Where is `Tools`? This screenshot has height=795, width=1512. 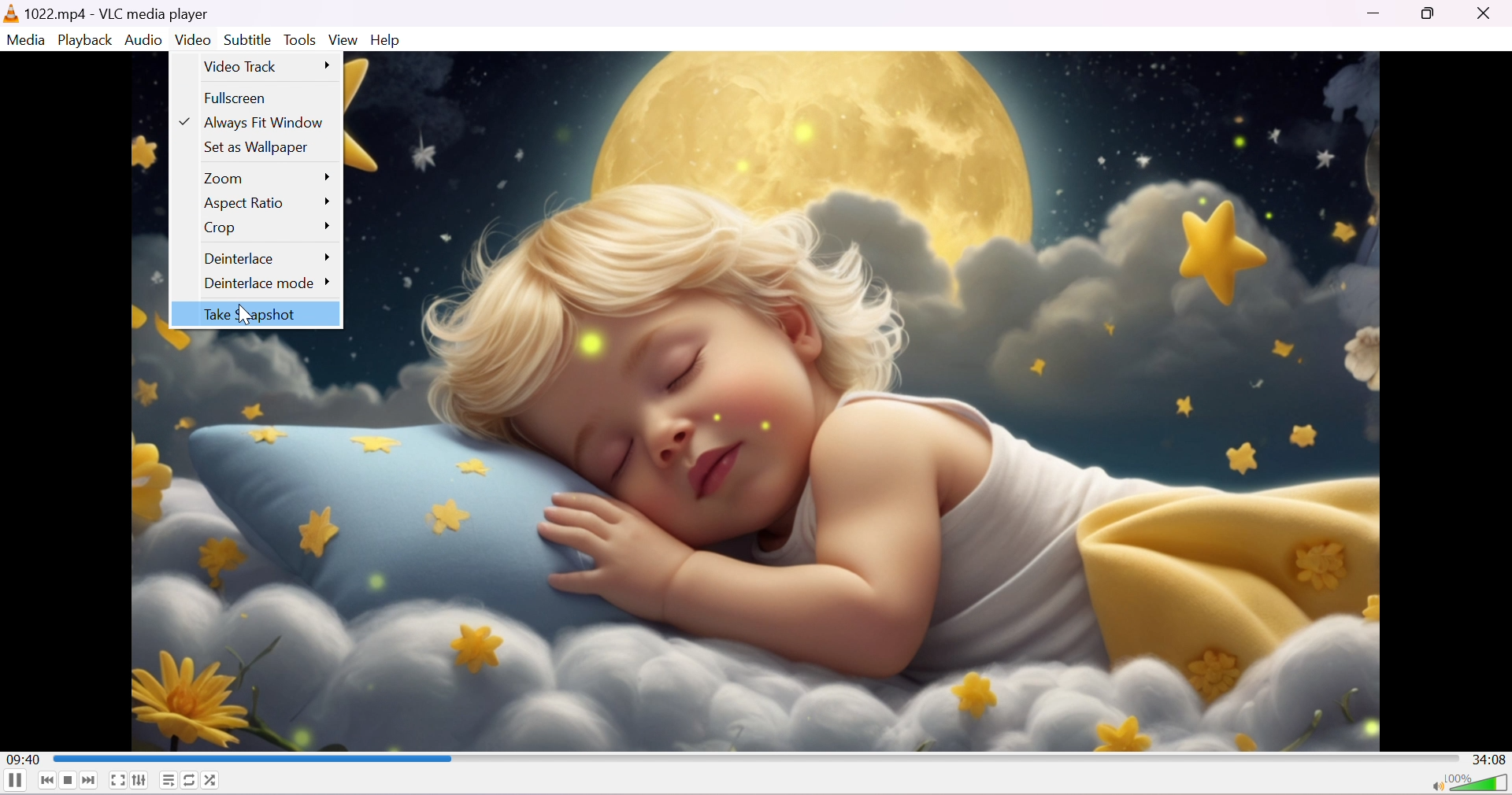
Tools is located at coordinates (301, 39).